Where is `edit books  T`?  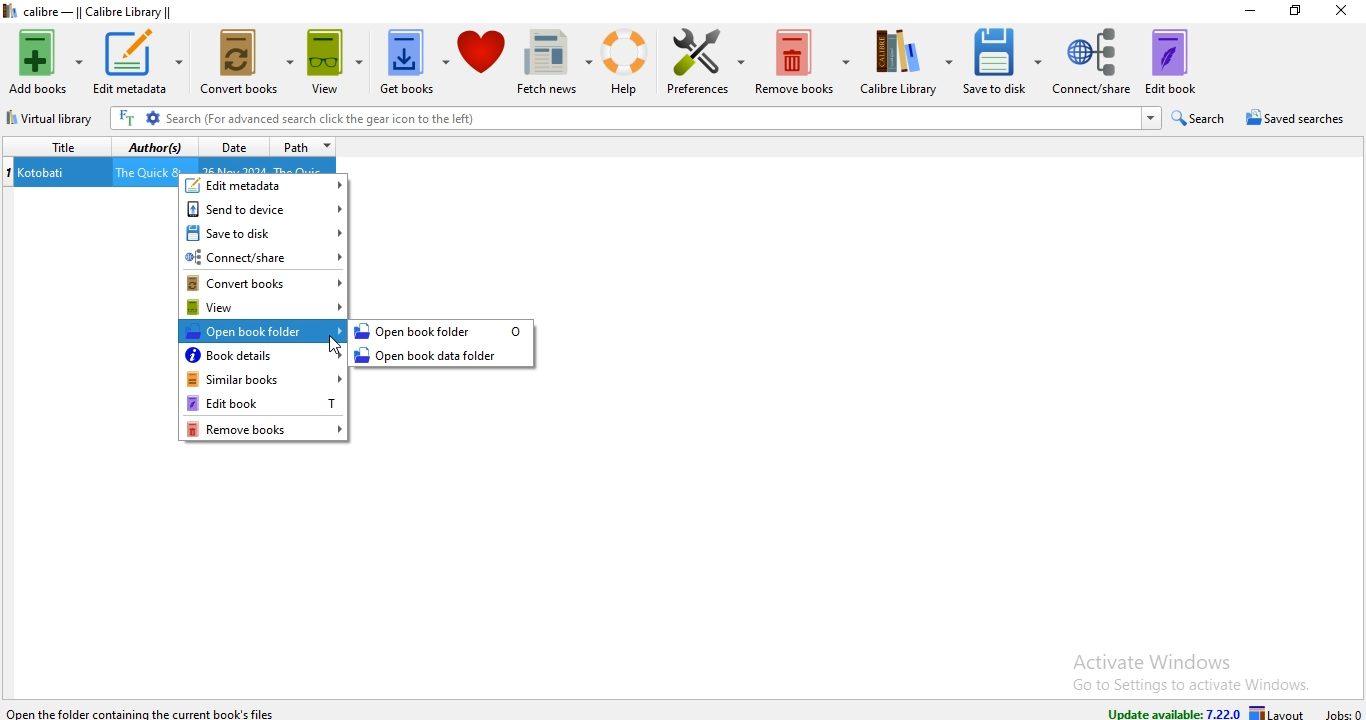 edit books  T is located at coordinates (263, 400).